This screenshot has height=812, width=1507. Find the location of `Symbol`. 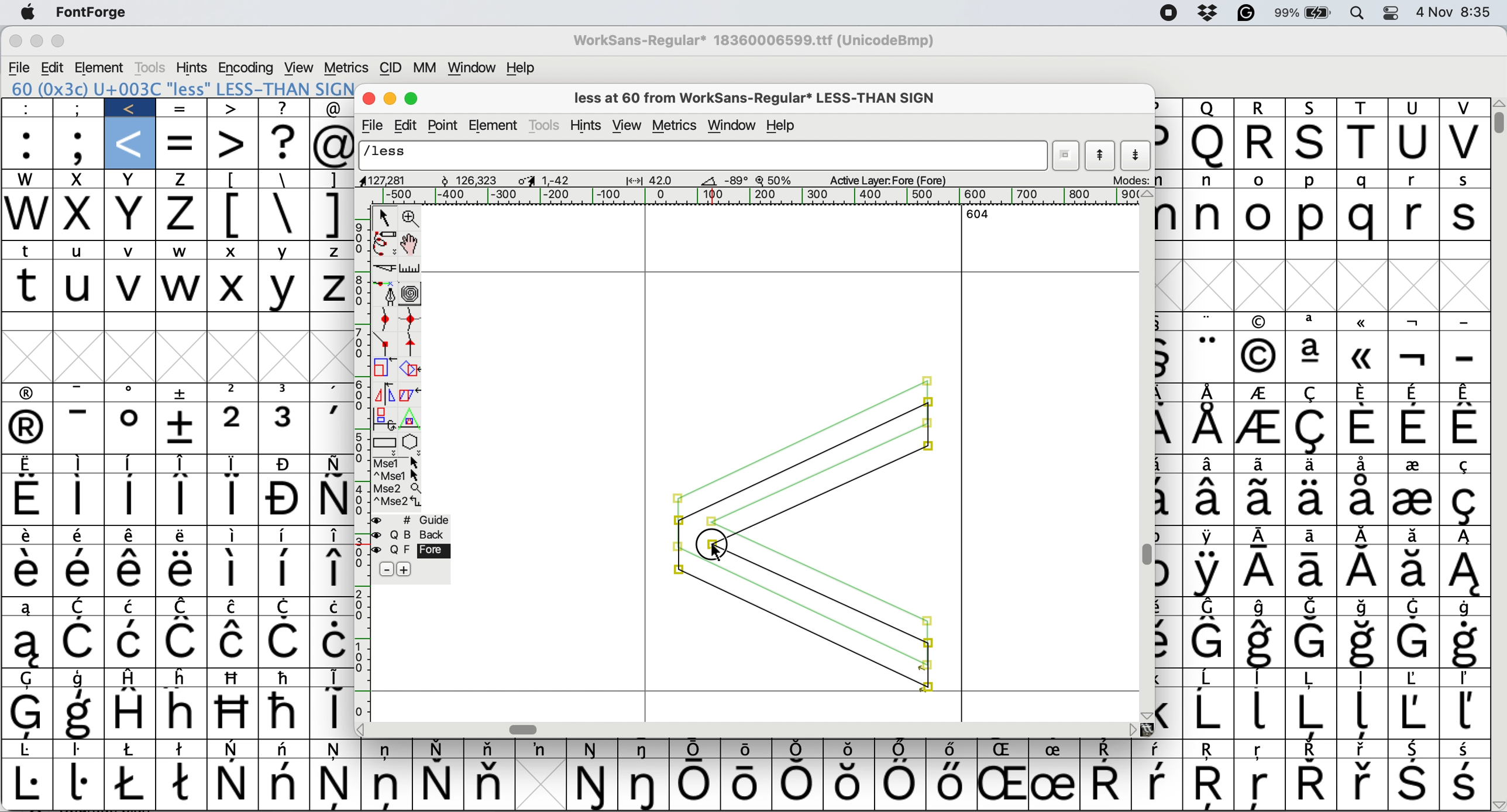

Symbol is located at coordinates (332, 498).